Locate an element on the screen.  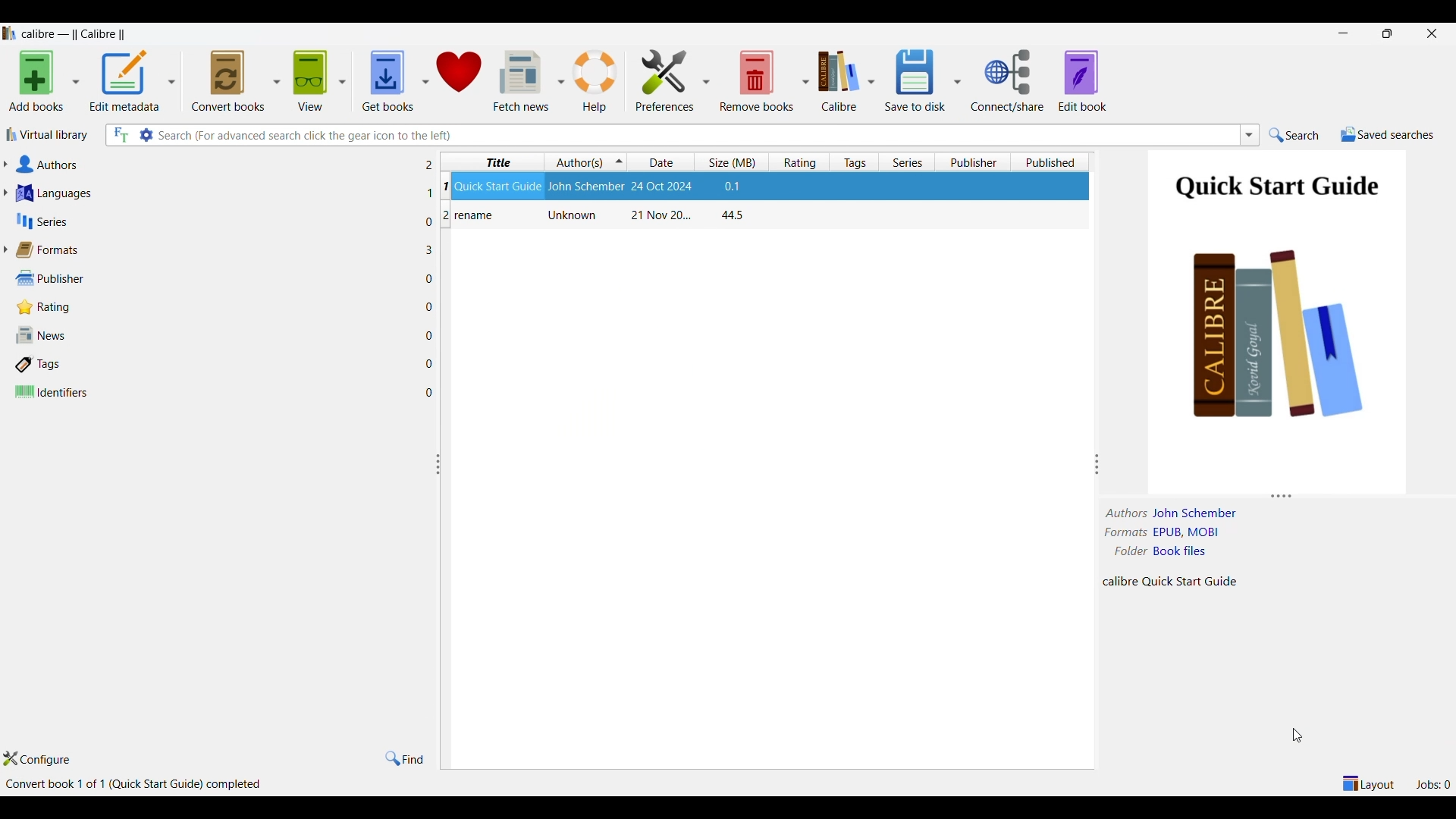
Identifiers is located at coordinates (216, 393).